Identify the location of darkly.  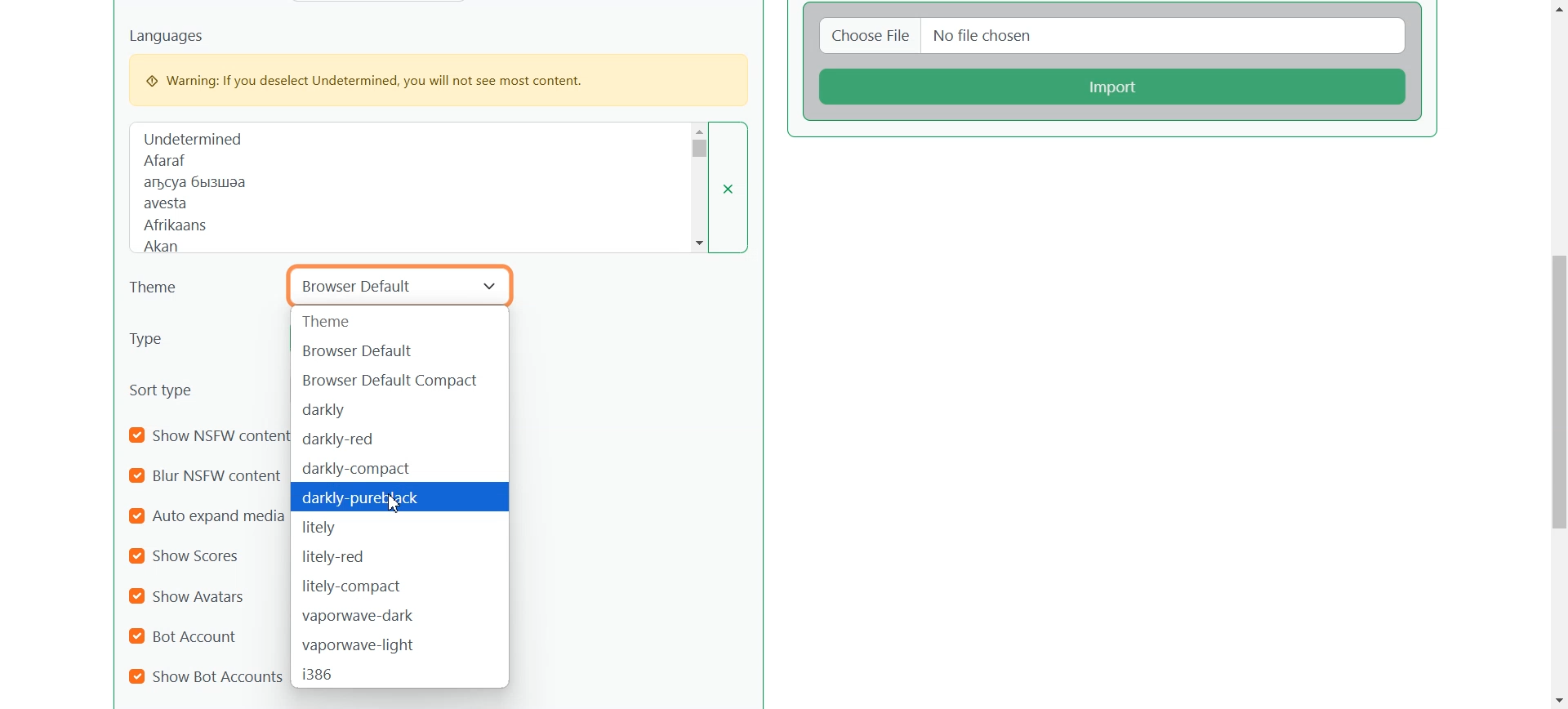
(400, 409).